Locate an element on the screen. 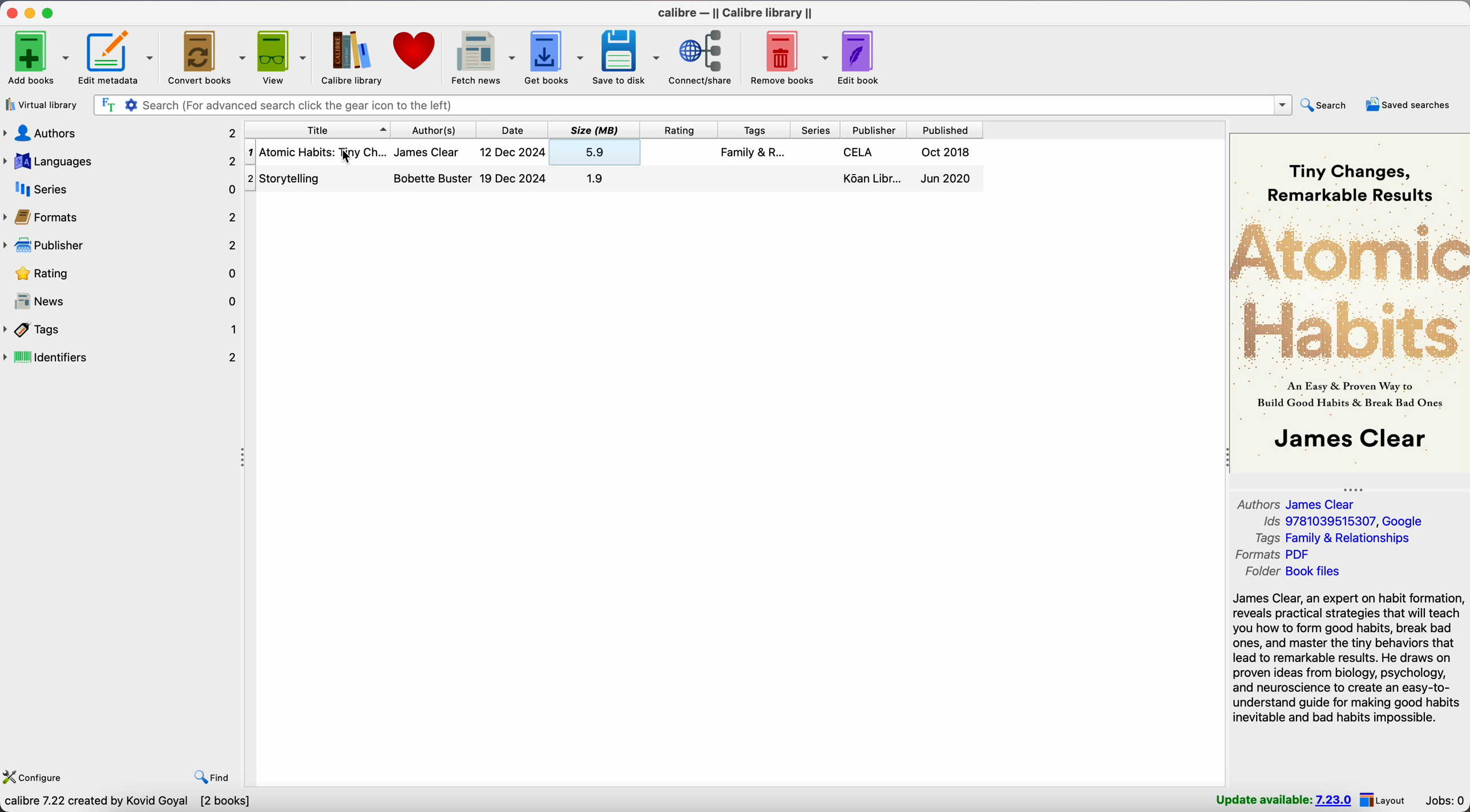 This screenshot has width=1470, height=812. edit metadata is located at coordinates (116, 58).